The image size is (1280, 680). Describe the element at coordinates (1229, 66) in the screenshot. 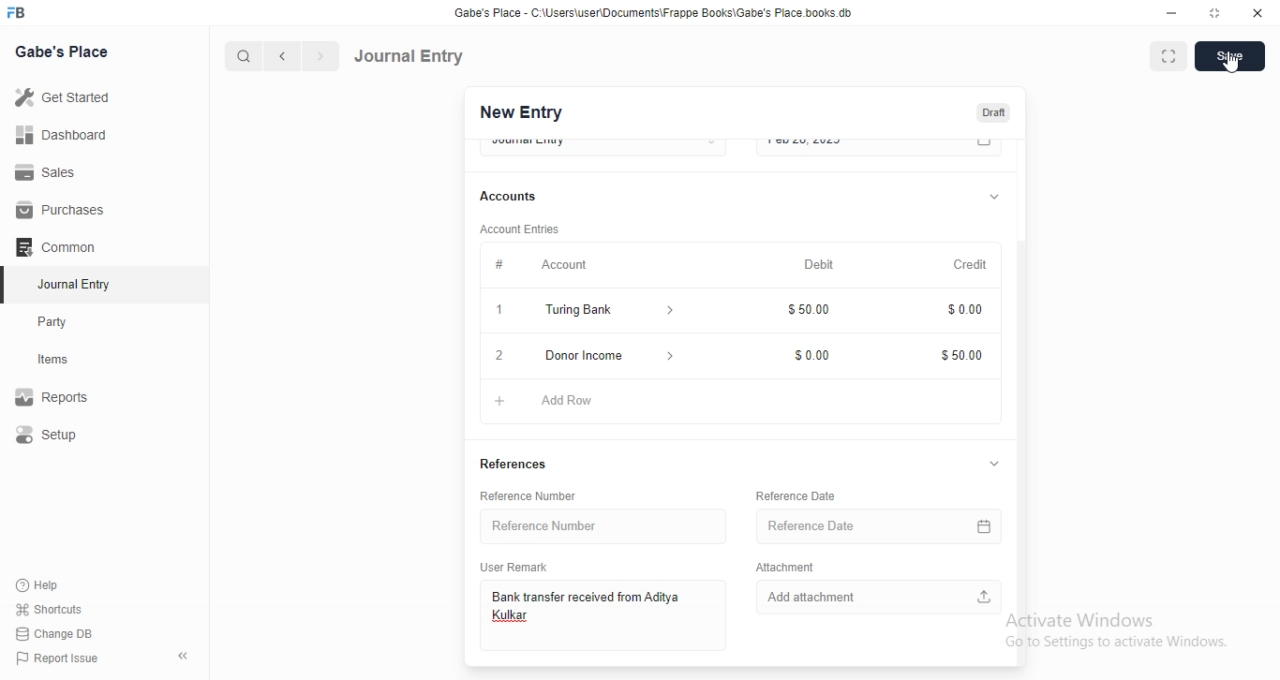

I see `cursor` at that location.